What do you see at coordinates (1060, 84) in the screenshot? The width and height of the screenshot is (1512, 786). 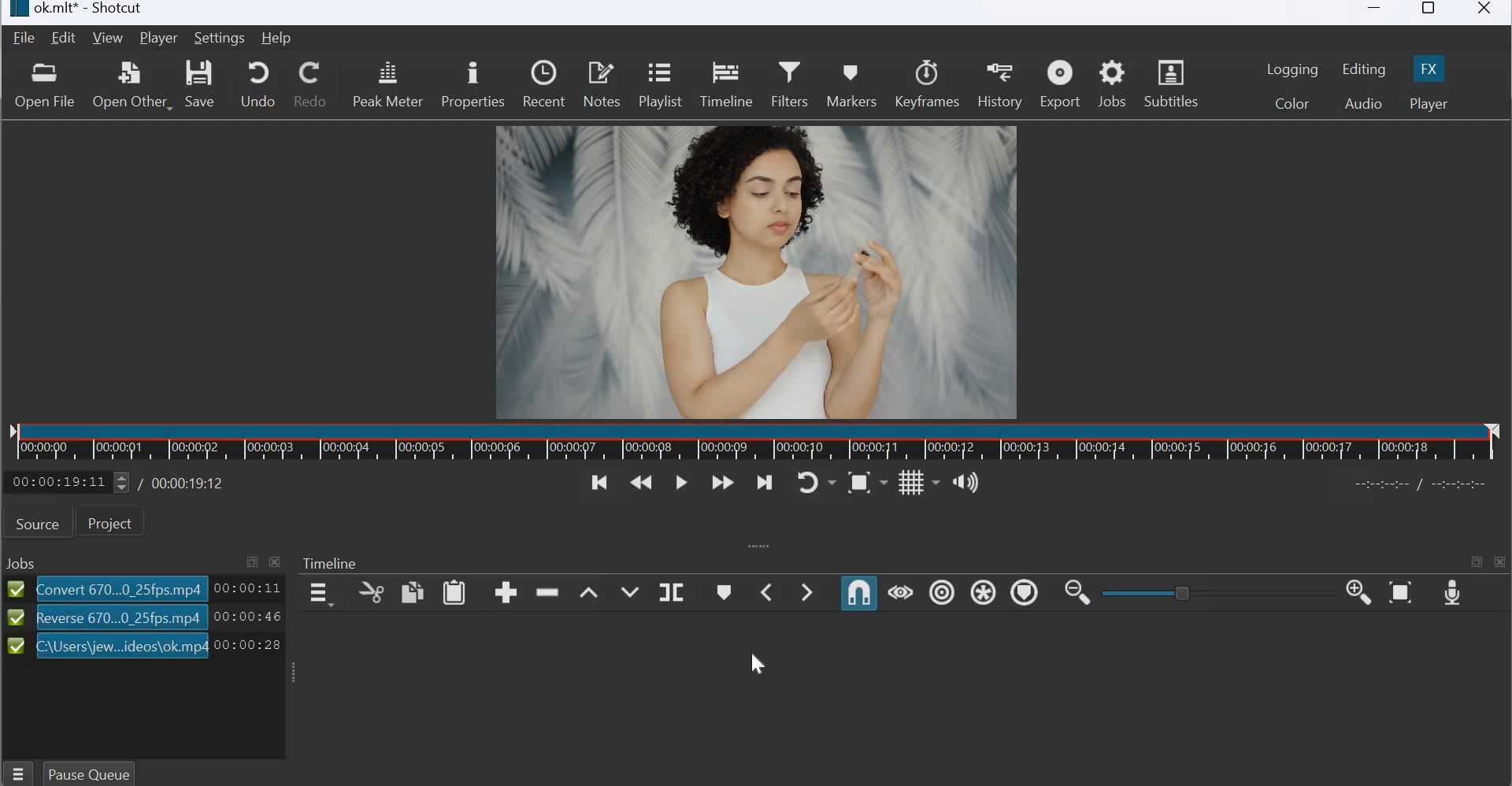 I see `Export` at bounding box center [1060, 84].